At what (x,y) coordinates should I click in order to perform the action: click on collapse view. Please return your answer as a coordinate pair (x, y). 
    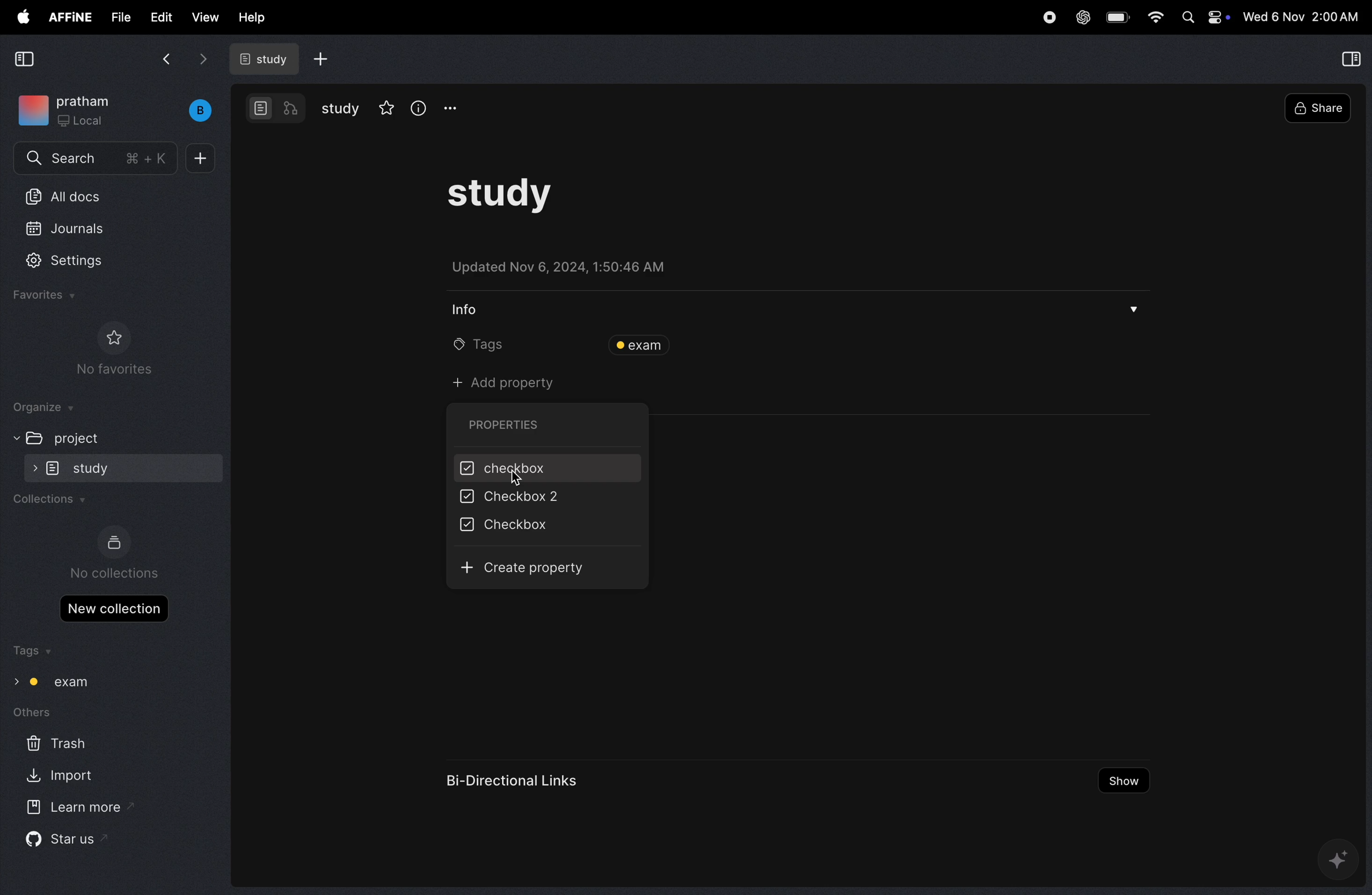
    Looking at the image, I should click on (24, 59).